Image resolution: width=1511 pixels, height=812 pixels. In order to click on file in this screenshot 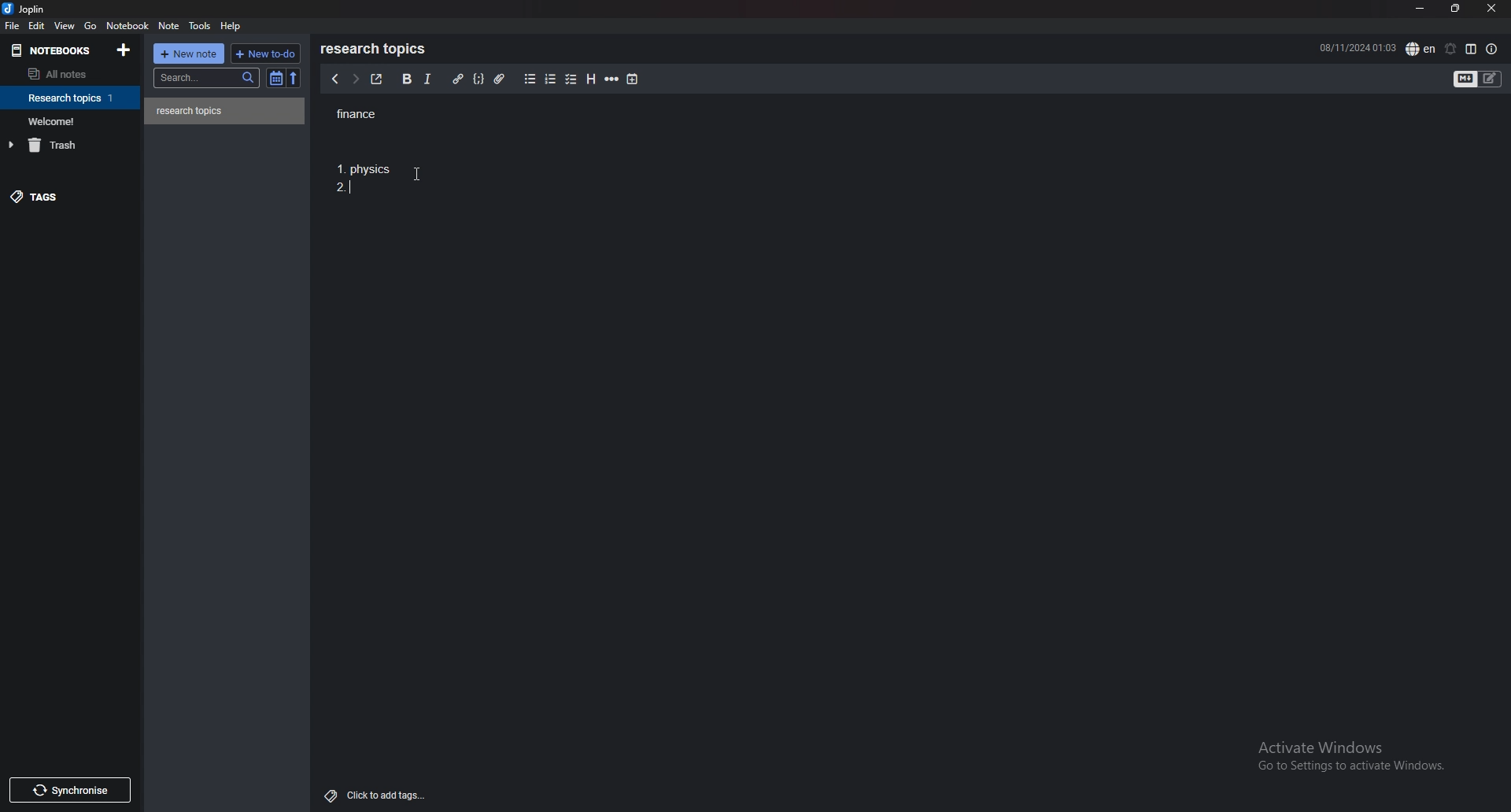, I will do `click(13, 26)`.